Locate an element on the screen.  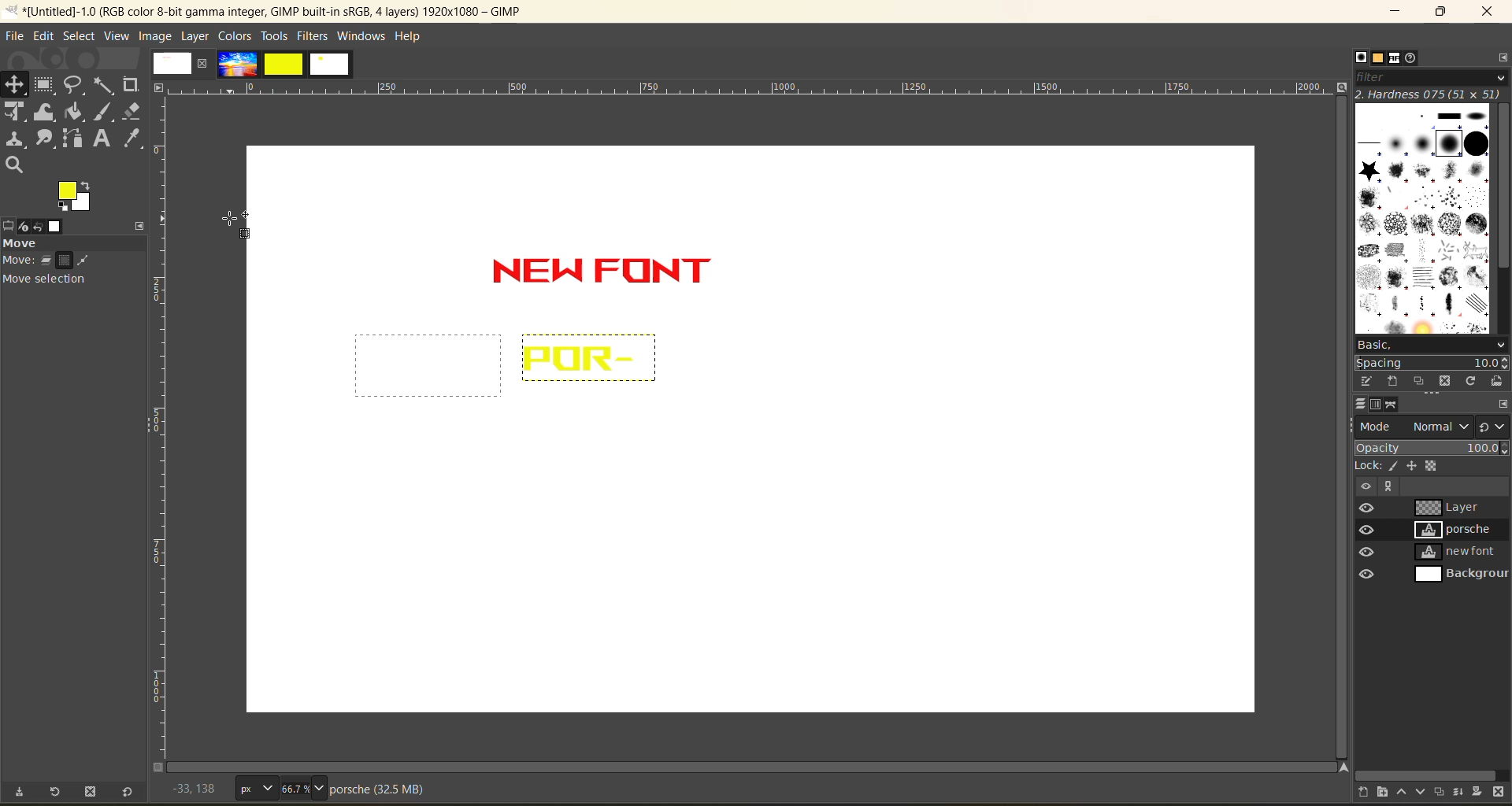
edit this brush is located at coordinates (1358, 381).